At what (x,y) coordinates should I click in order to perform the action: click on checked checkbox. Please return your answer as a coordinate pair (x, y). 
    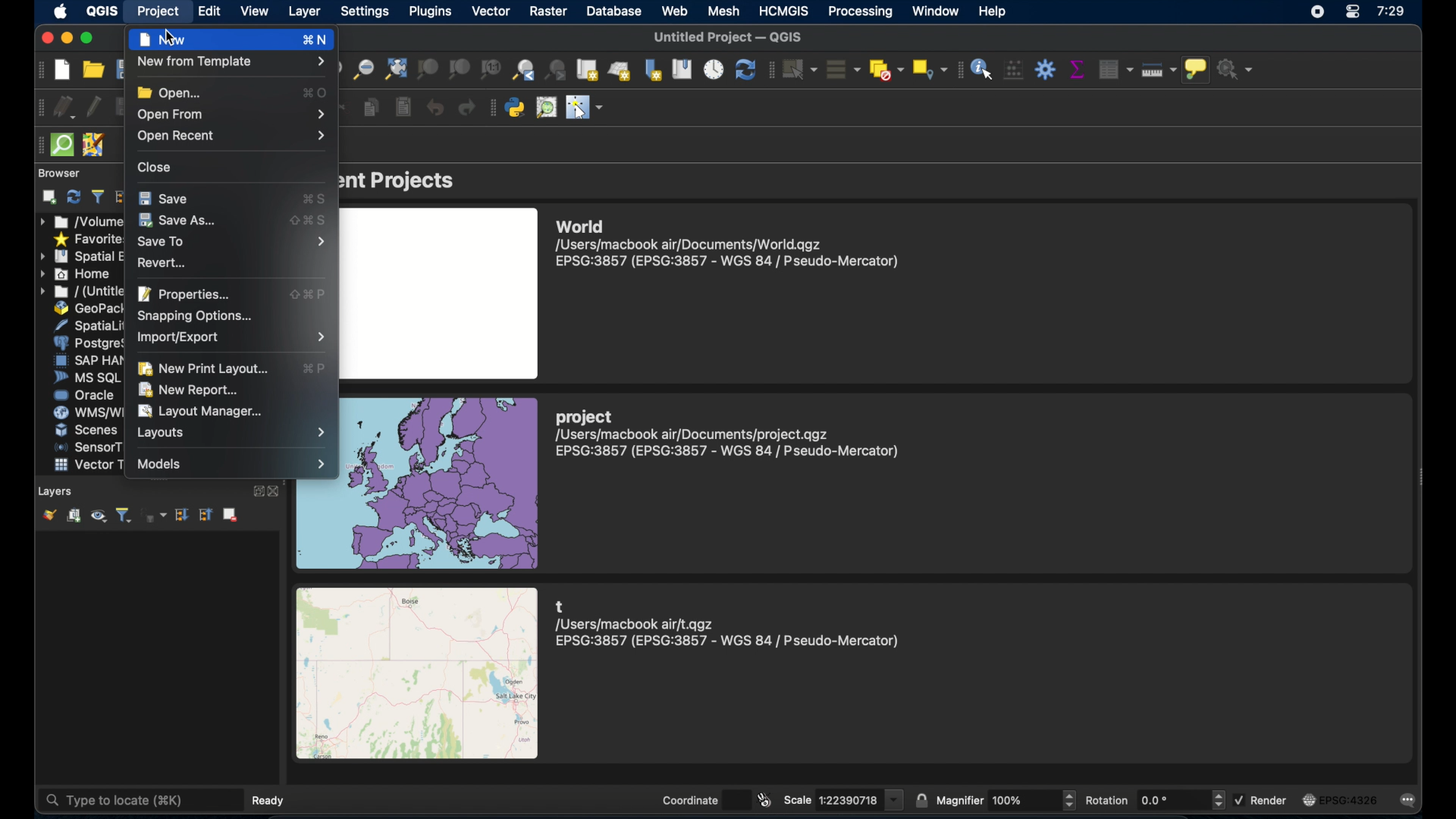
    Looking at the image, I should click on (1239, 799).